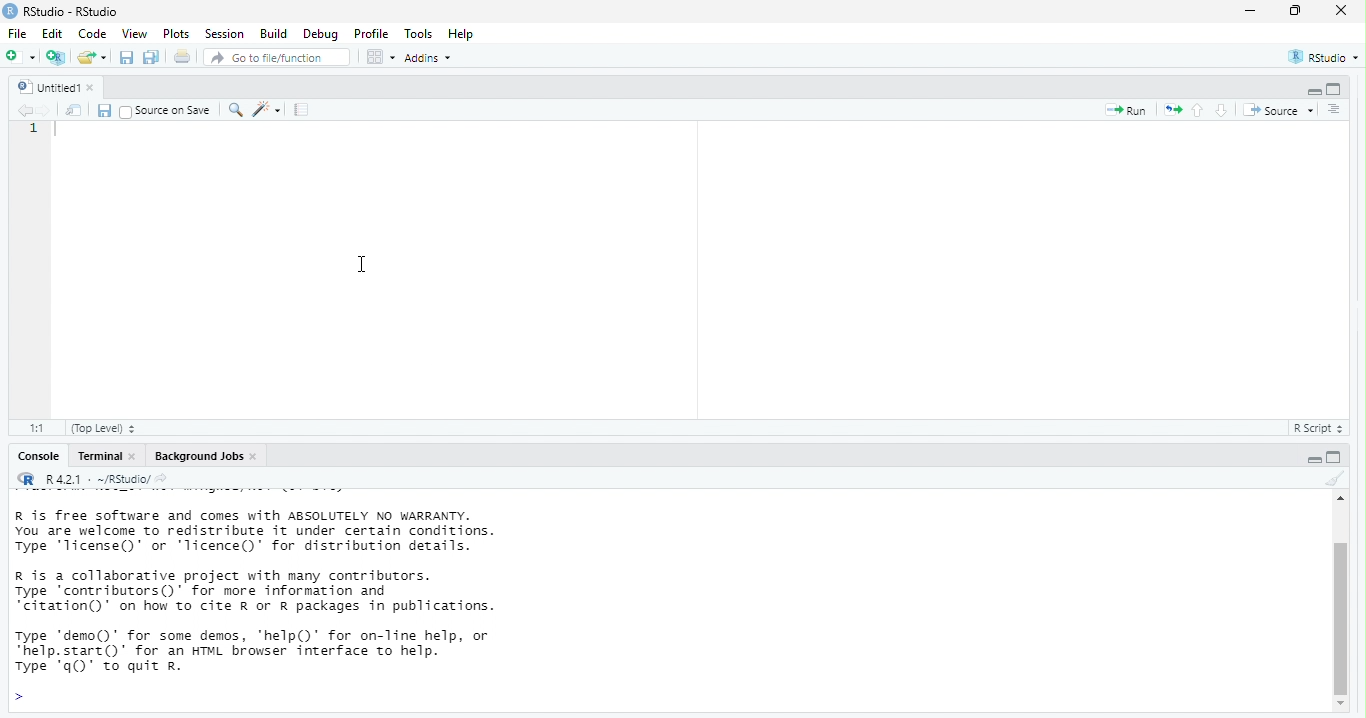 The width and height of the screenshot is (1366, 718). I want to click on maximize, so click(1294, 12).